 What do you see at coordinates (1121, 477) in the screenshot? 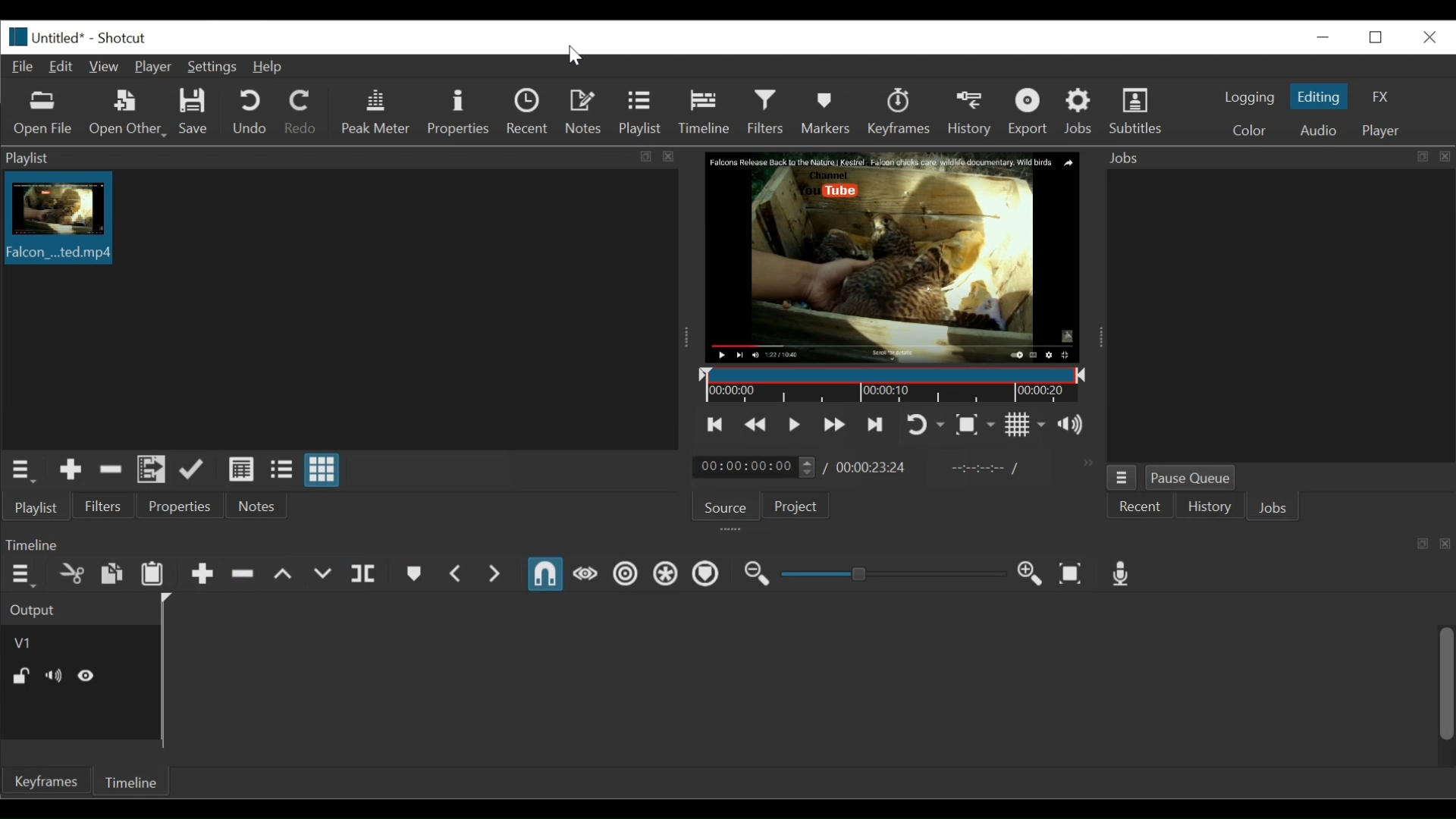
I see `Jobs menu` at bounding box center [1121, 477].